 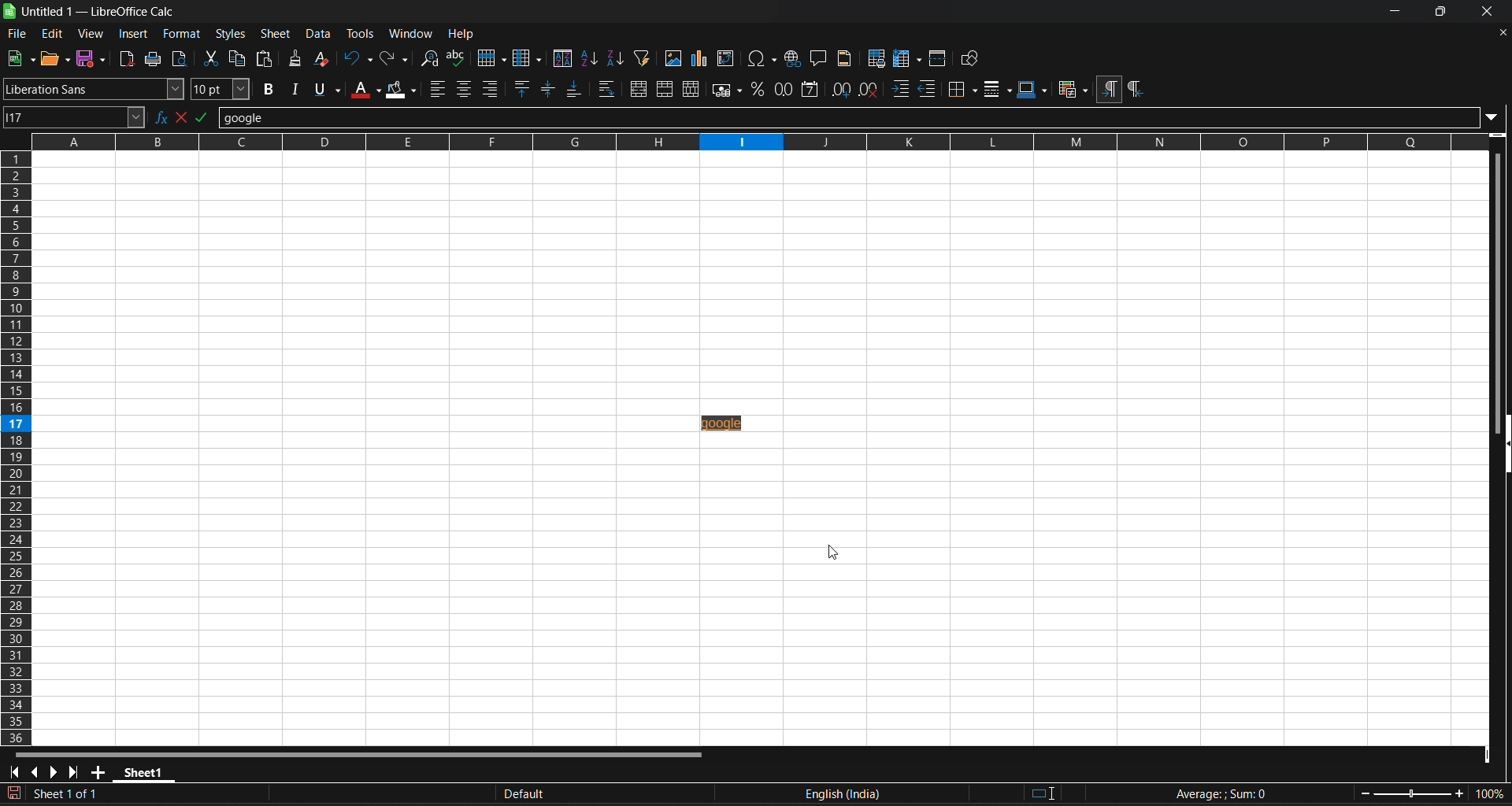 I want to click on border styles, so click(x=998, y=89).